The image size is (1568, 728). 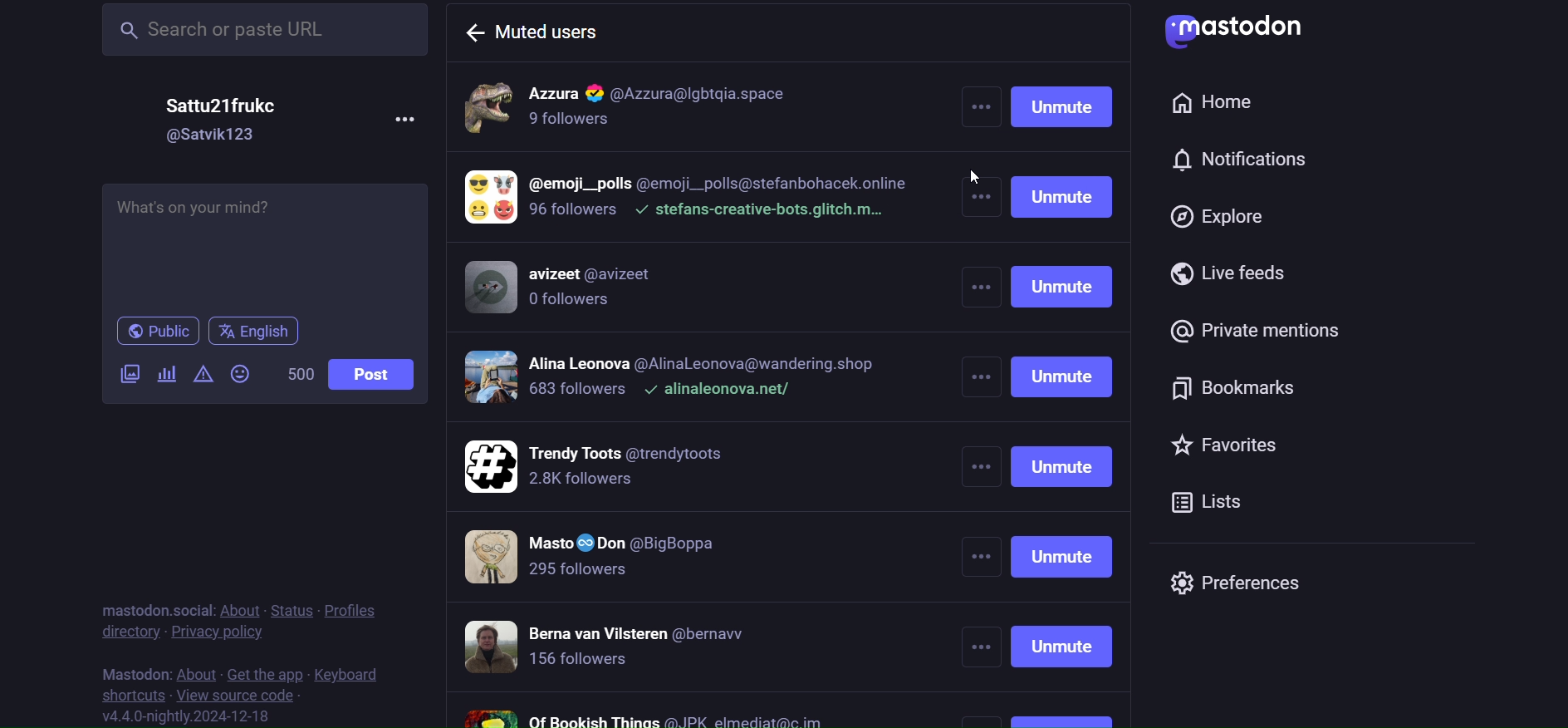 I want to click on preferences, so click(x=1251, y=582).